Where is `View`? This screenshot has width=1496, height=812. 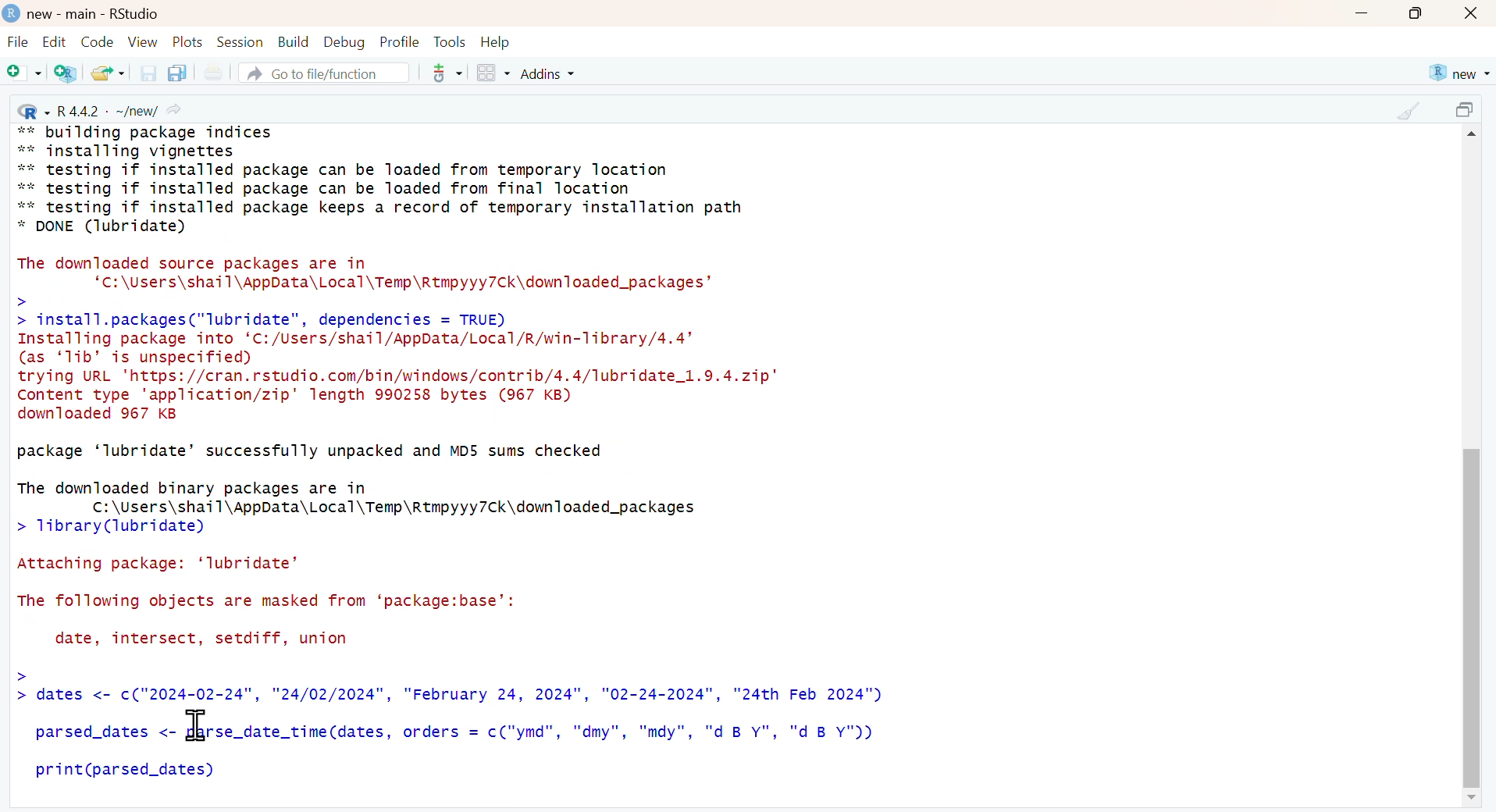 View is located at coordinates (143, 41).